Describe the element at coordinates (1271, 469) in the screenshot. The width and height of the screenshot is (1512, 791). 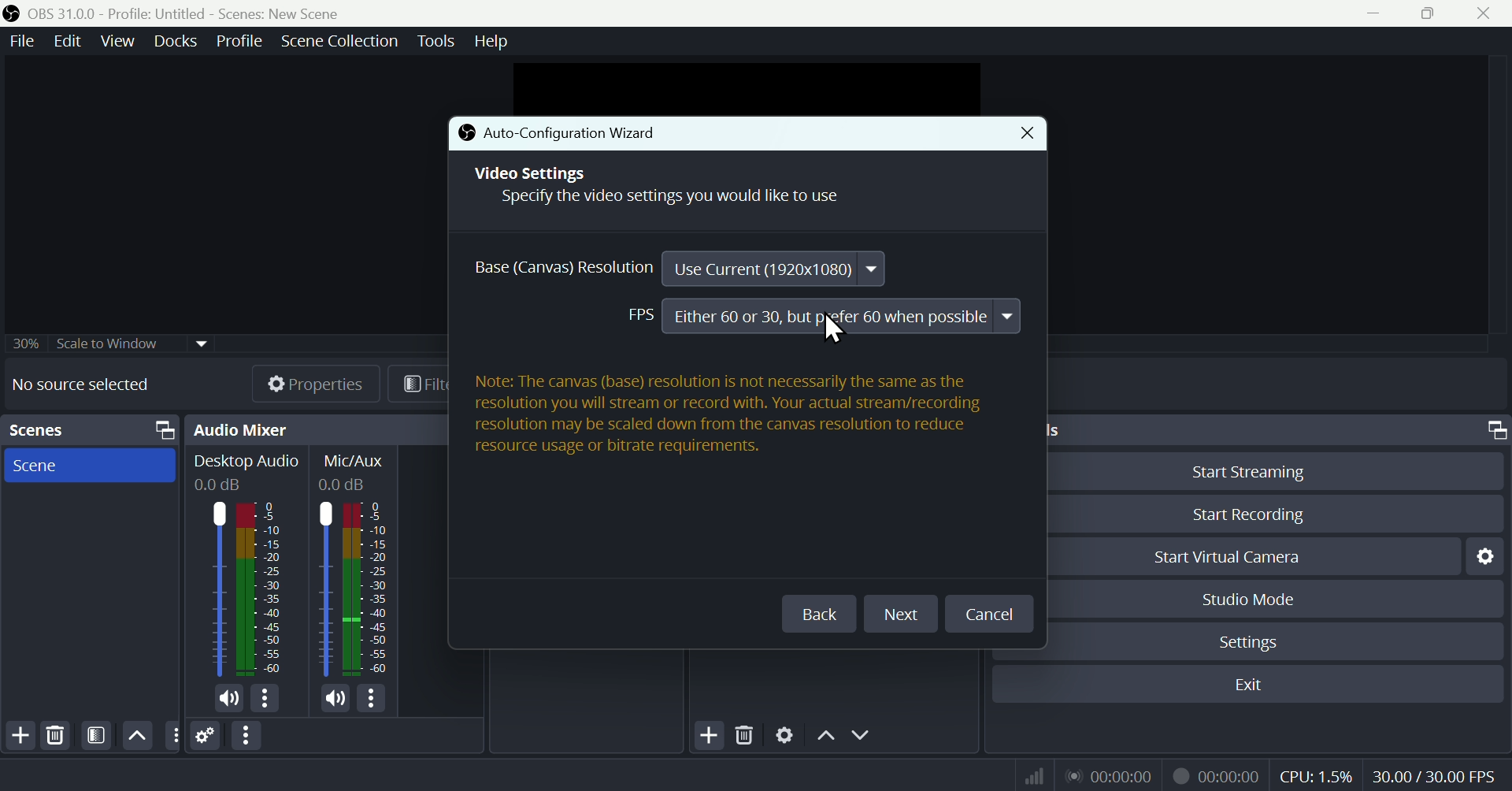
I see `Start Streaming` at that location.